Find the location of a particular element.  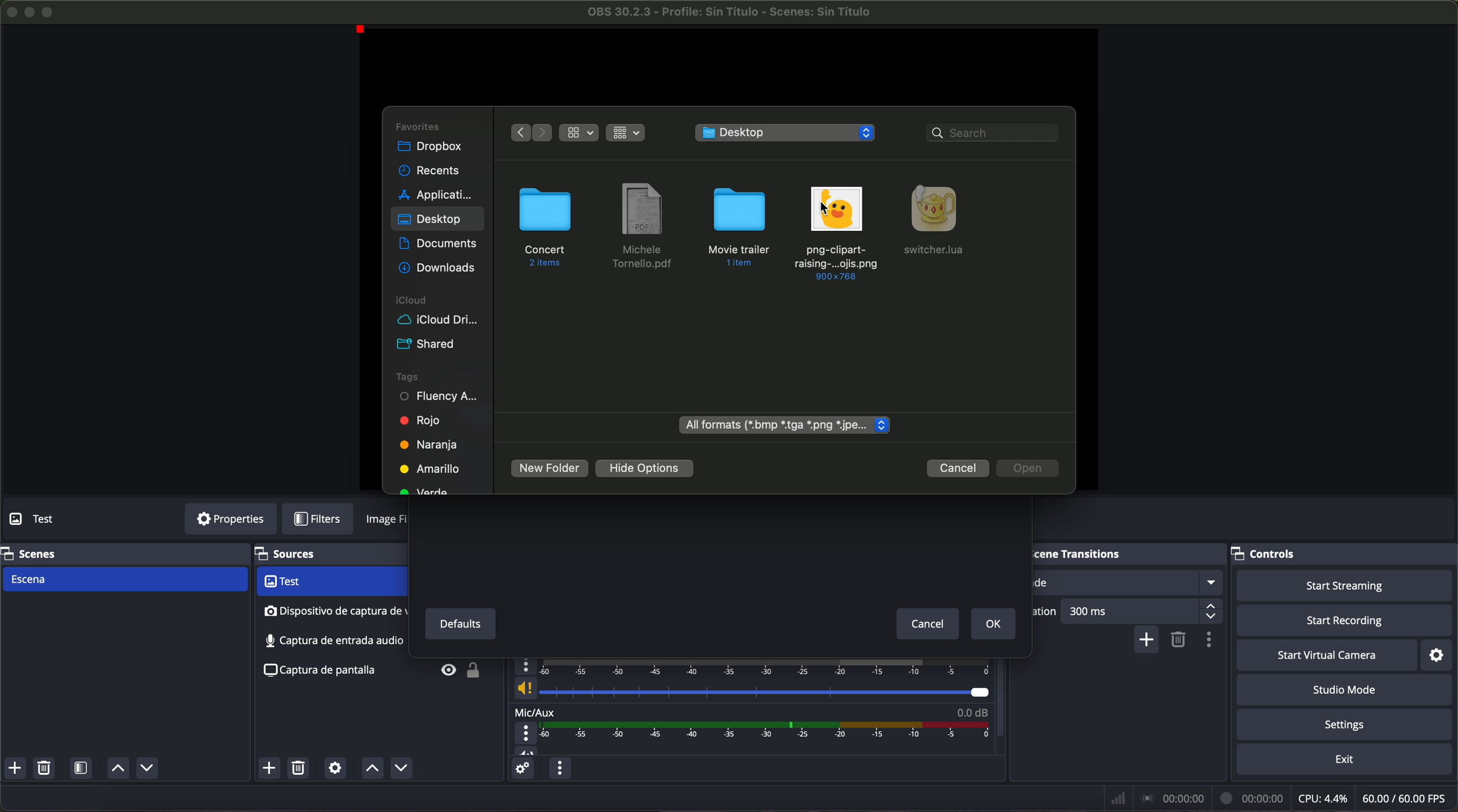

click on image file is located at coordinates (837, 231).